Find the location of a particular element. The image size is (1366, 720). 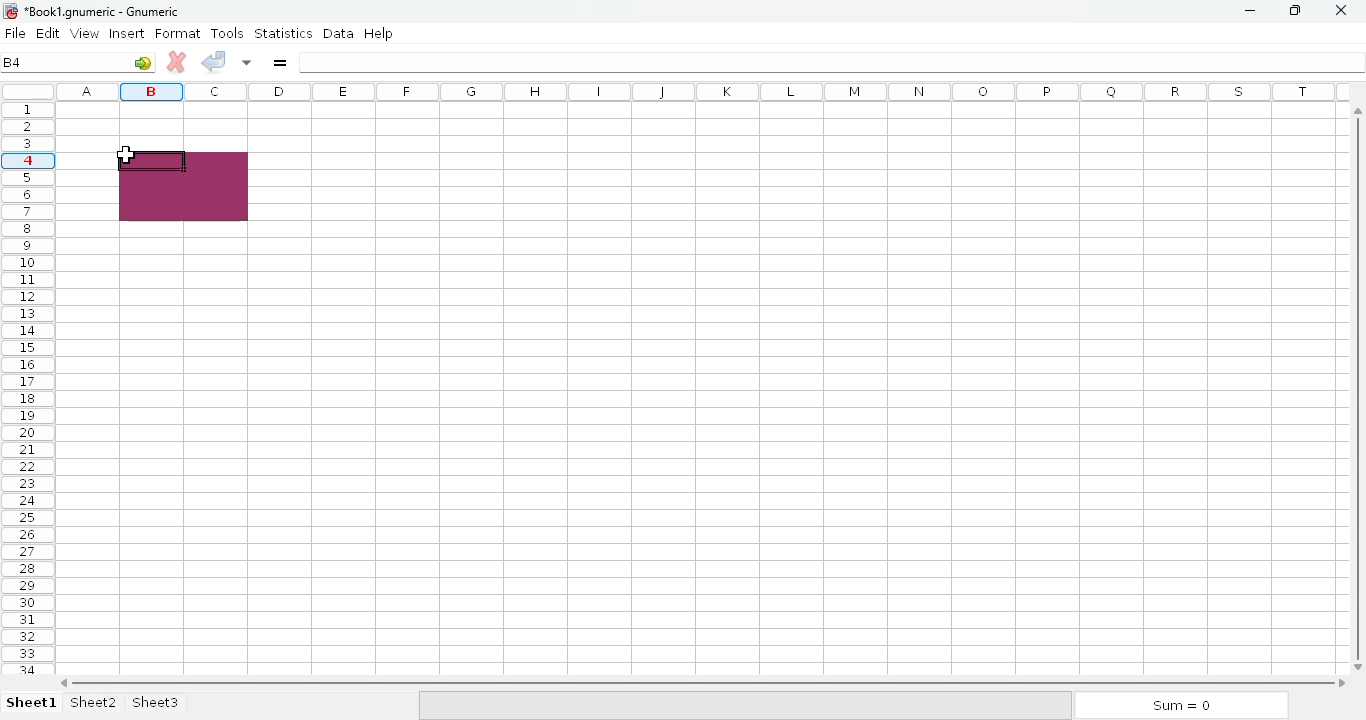

statistics is located at coordinates (283, 33).